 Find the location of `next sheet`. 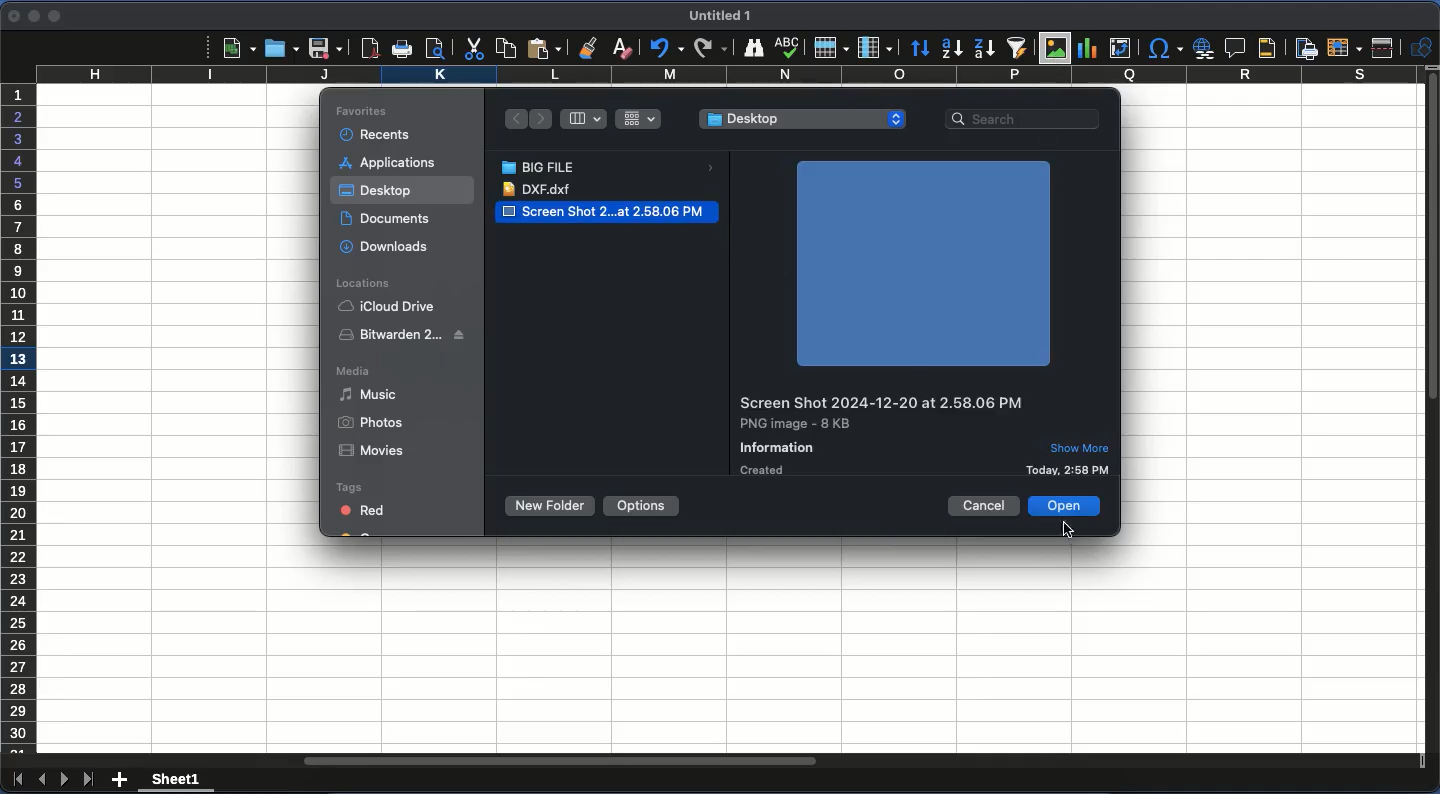

next sheet is located at coordinates (65, 779).